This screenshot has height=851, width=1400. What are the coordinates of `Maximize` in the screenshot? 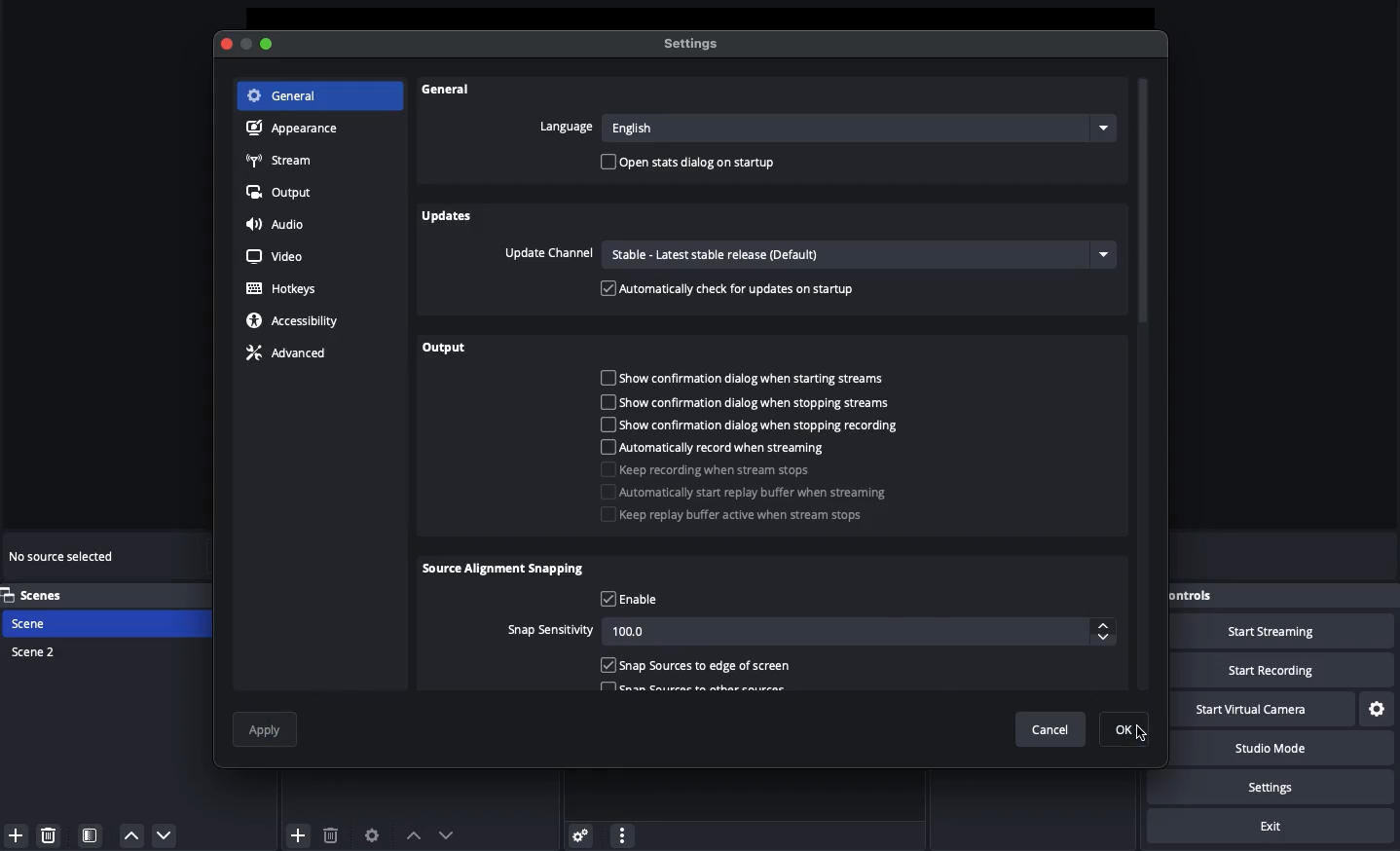 It's located at (268, 45).